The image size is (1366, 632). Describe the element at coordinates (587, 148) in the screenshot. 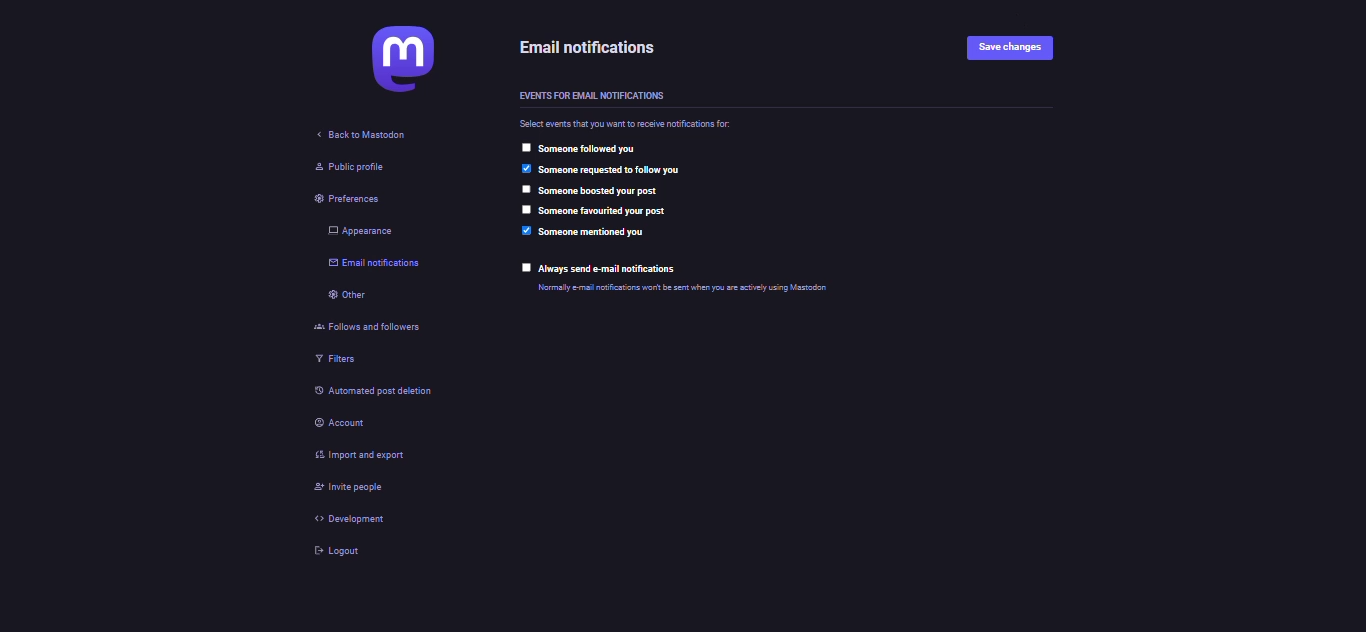

I see `someone followed you` at that location.